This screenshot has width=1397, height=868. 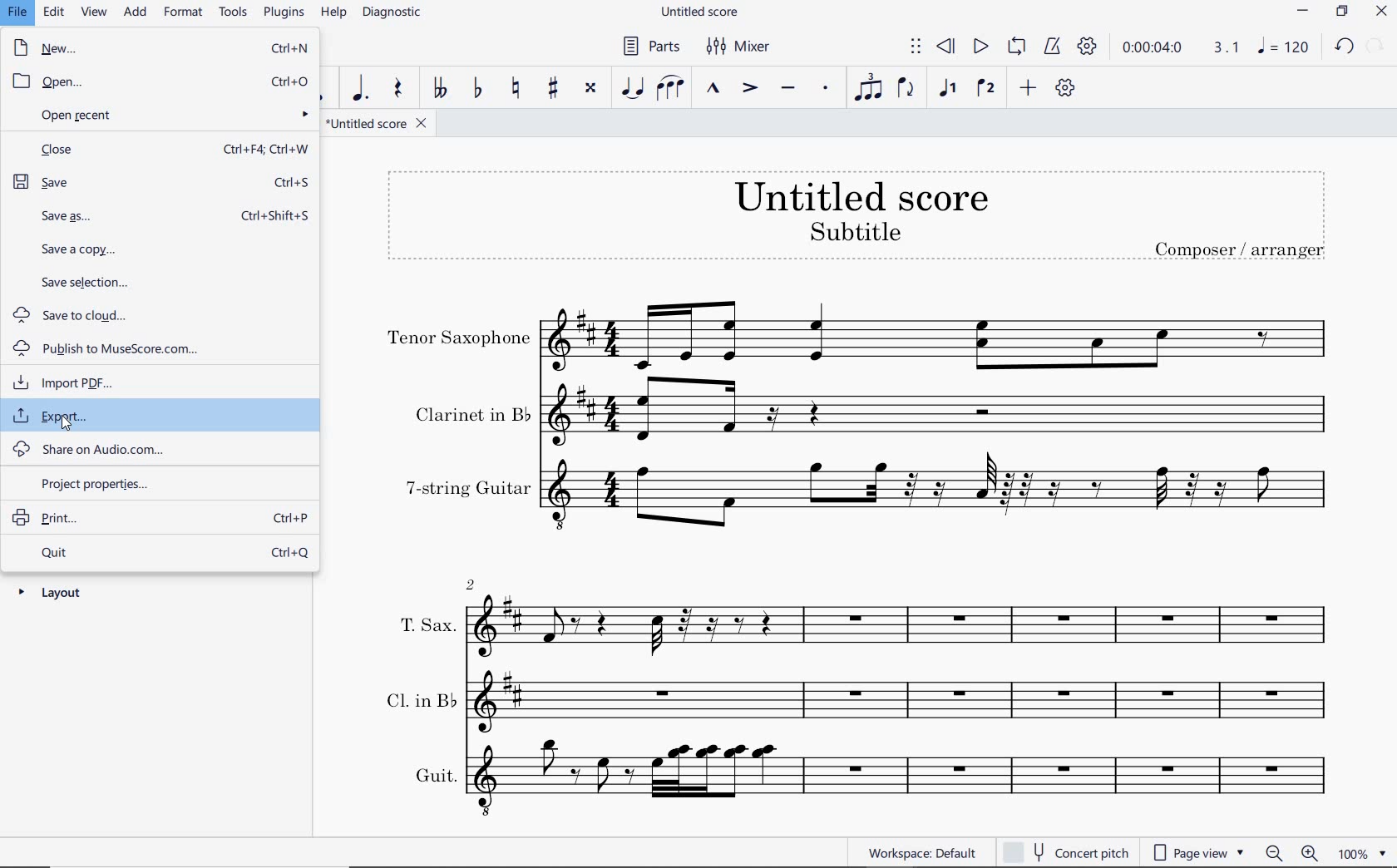 What do you see at coordinates (1068, 853) in the screenshot?
I see `concert pitch` at bounding box center [1068, 853].